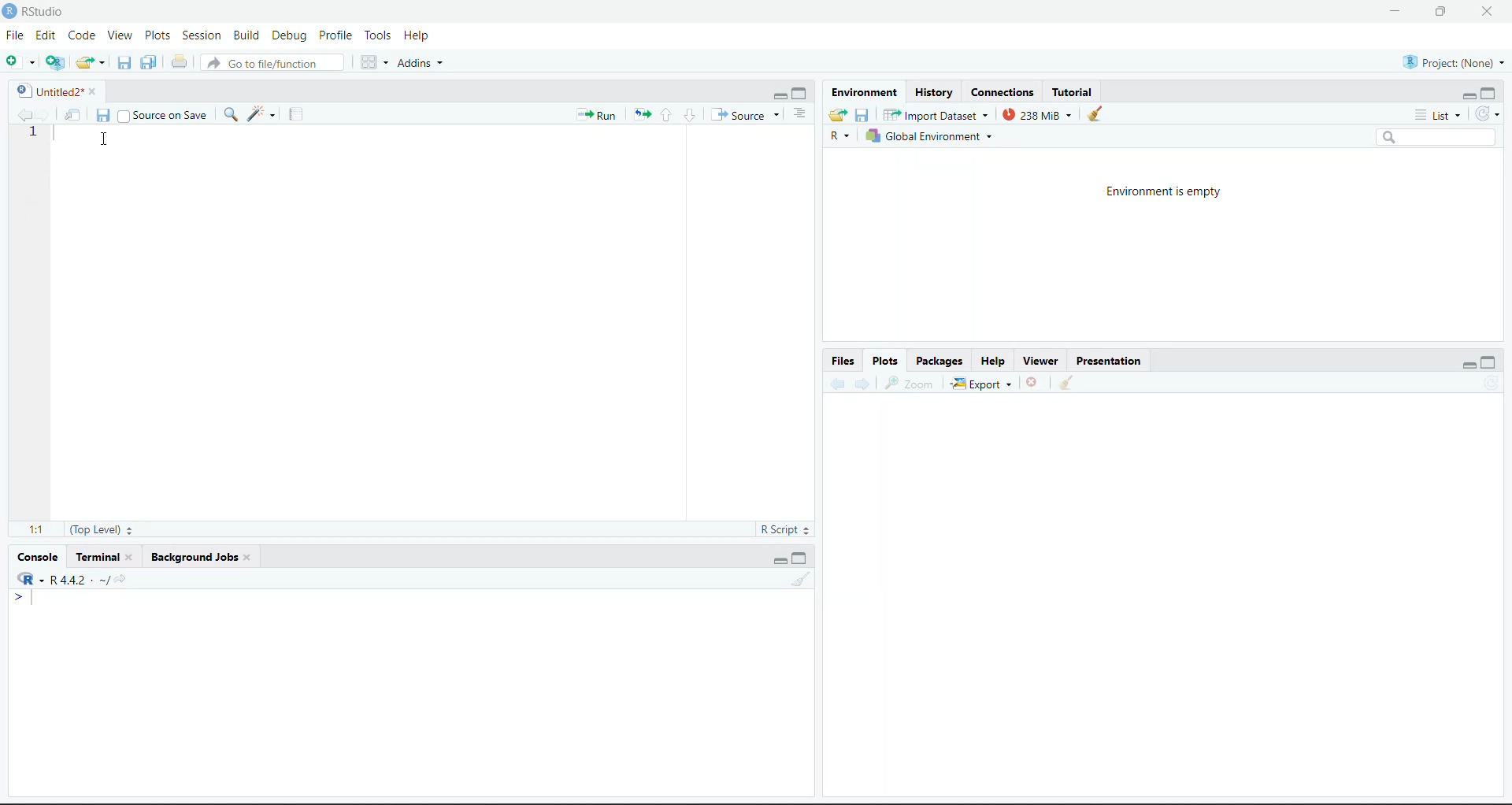 This screenshot has width=1512, height=805. Describe the element at coordinates (1072, 93) in the screenshot. I see `Tutorial` at that location.